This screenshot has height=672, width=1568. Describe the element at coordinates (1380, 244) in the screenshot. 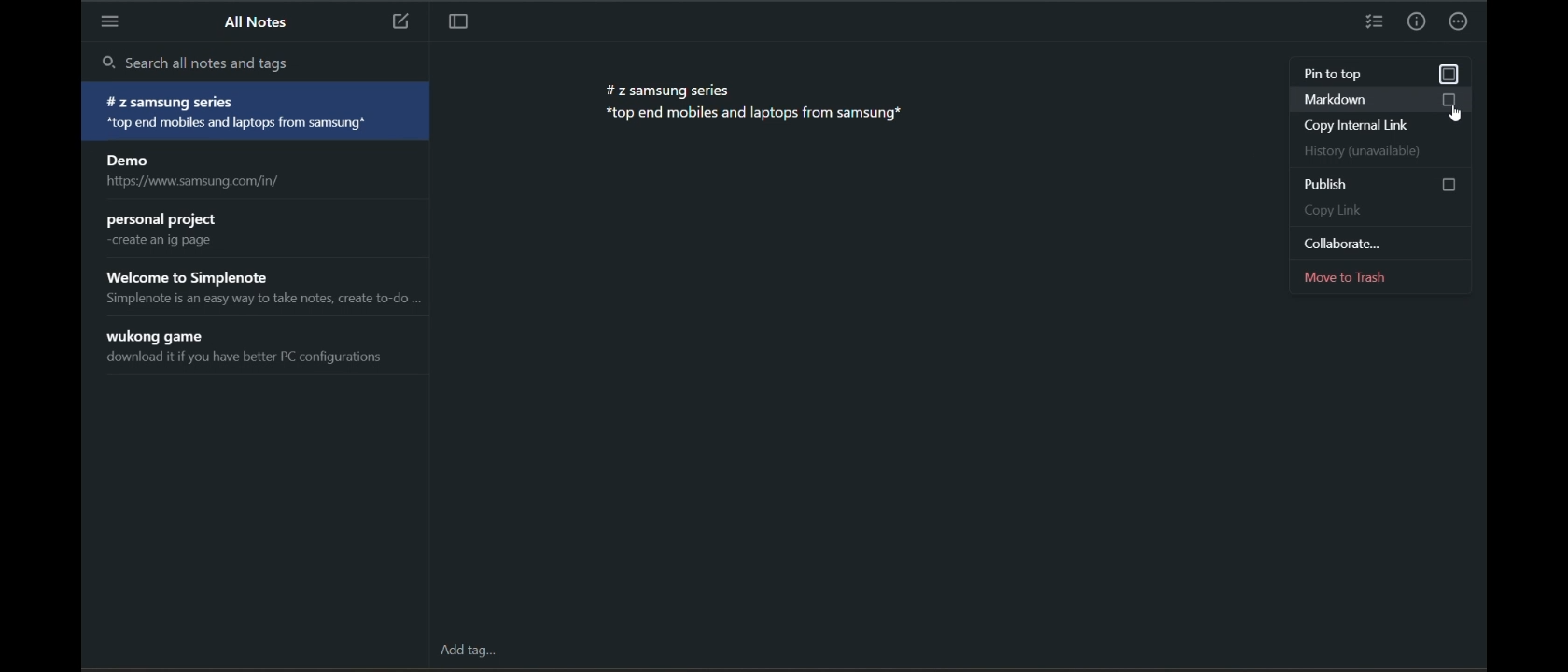

I see `collaborate...` at that location.